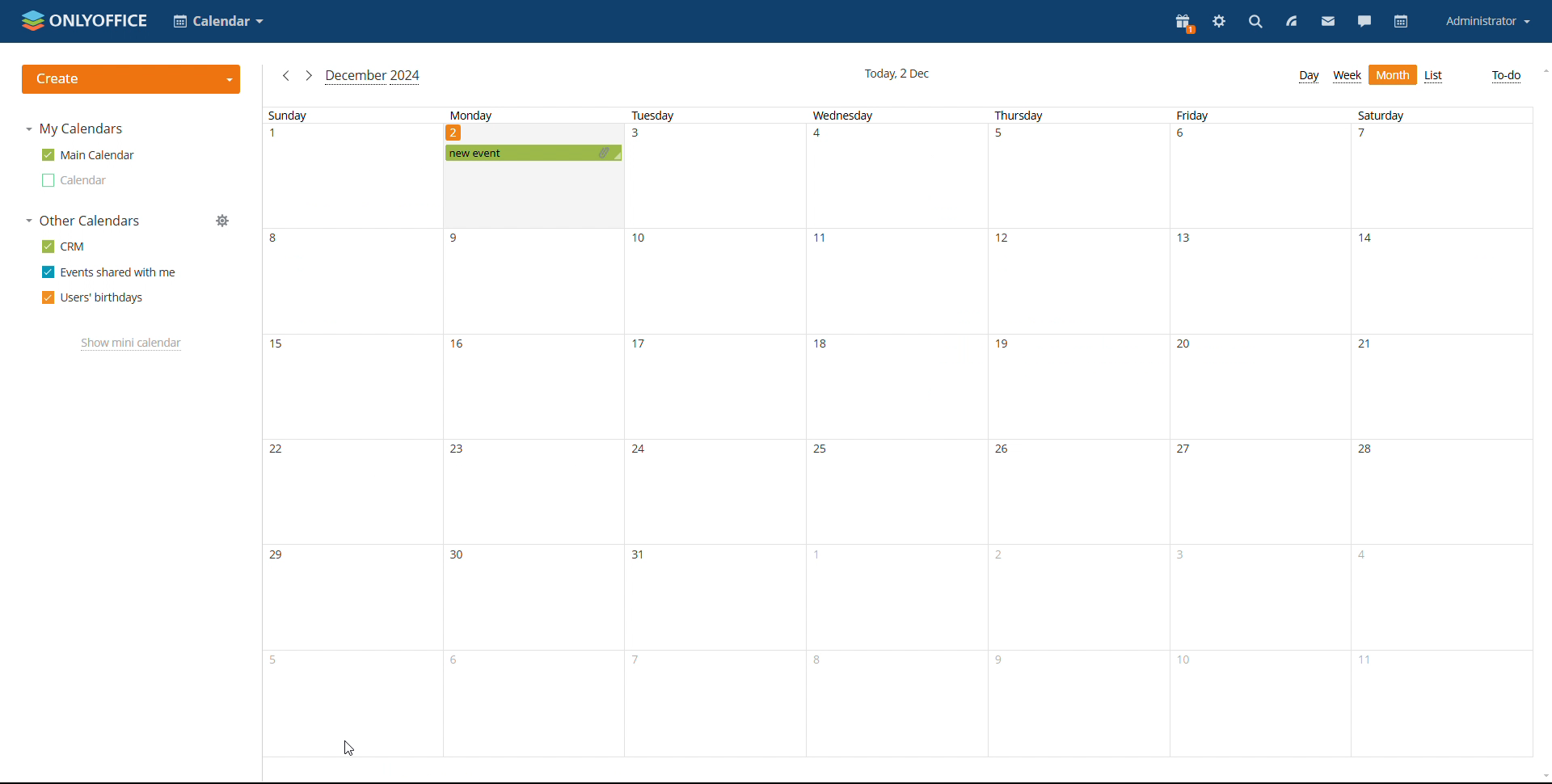  Describe the element at coordinates (132, 344) in the screenshot. I see `show mini calendar` at that location.